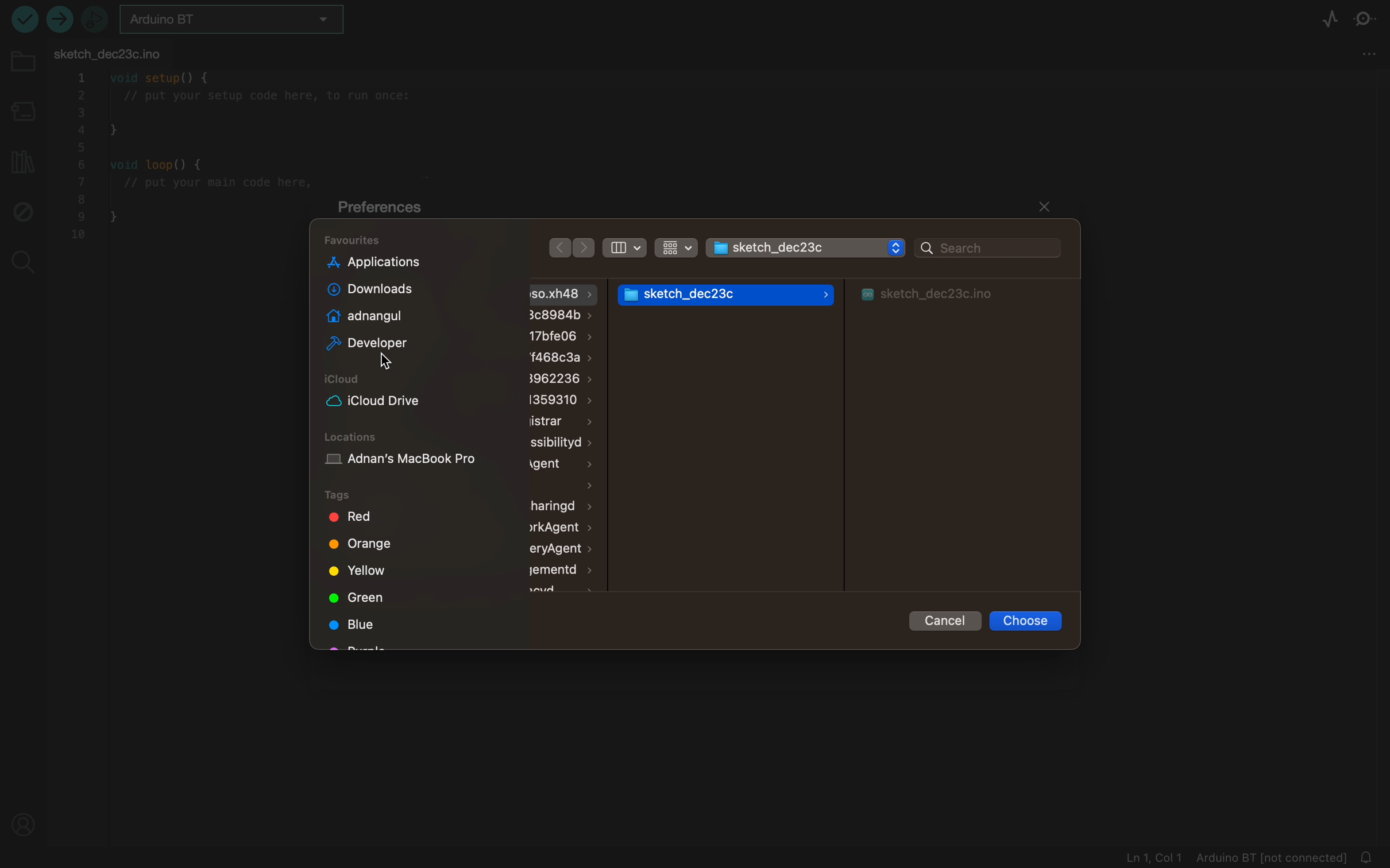 Image resolution: width=1390 pixels, height=868 pixels. What do you see at coordinates (26, 824) in the screenshot?
I see `profile` at bounding box center [26, 824].